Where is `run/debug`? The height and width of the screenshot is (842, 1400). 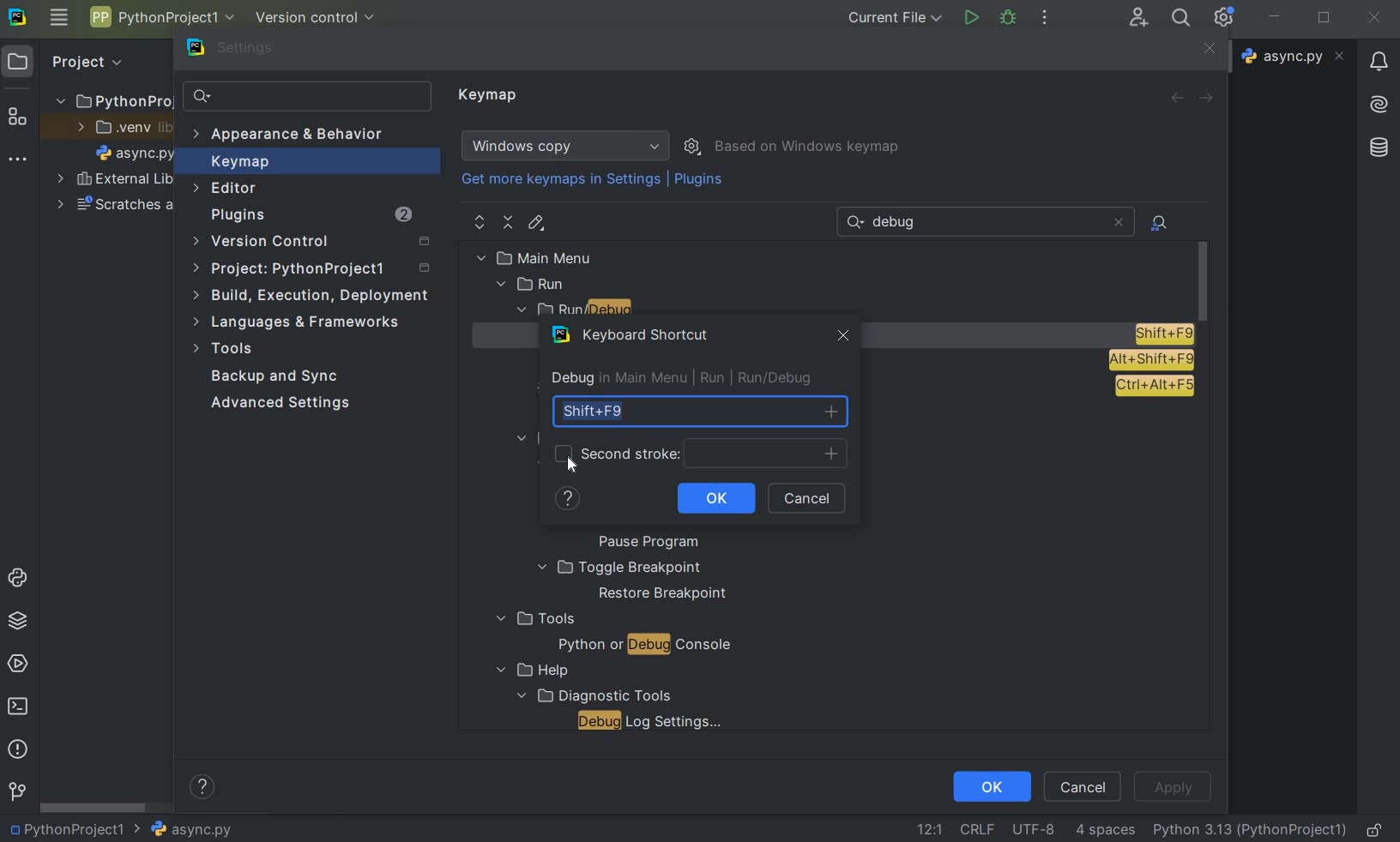
run/debug is located at coordinates (763, 378).